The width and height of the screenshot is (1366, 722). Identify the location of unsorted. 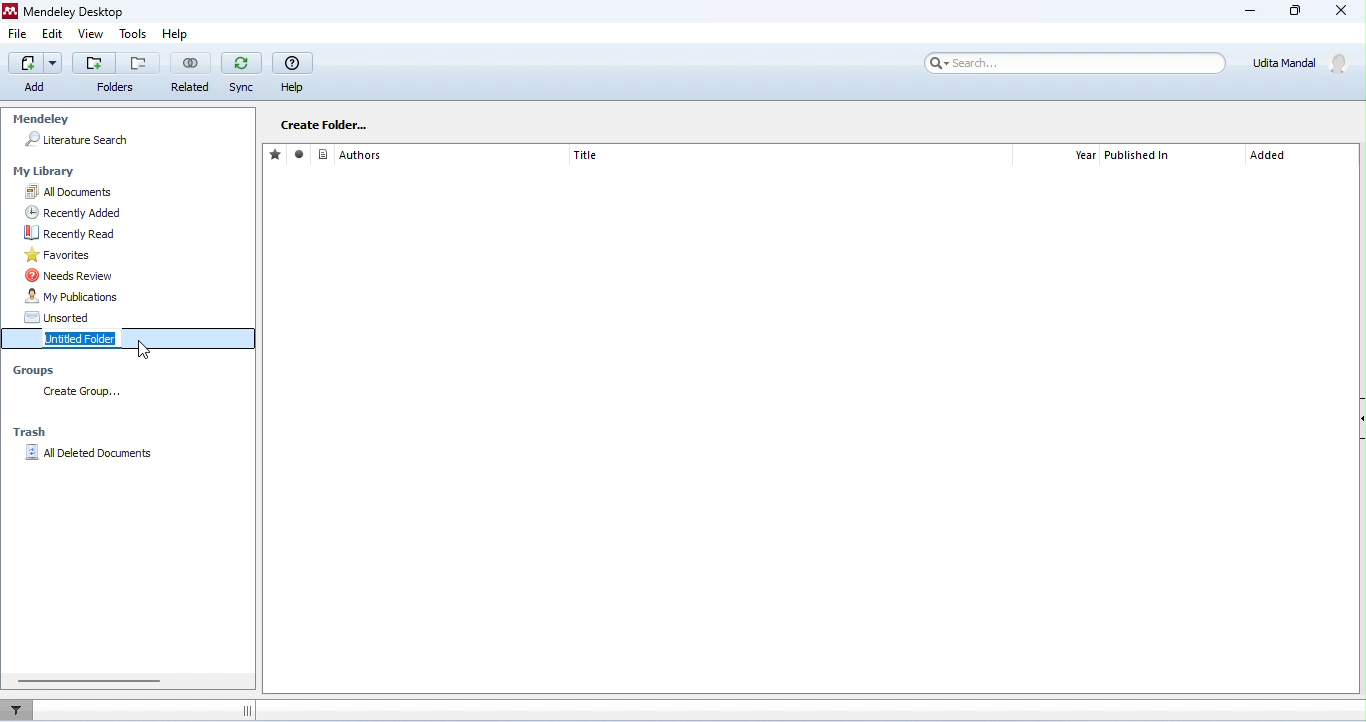
(137, 317).